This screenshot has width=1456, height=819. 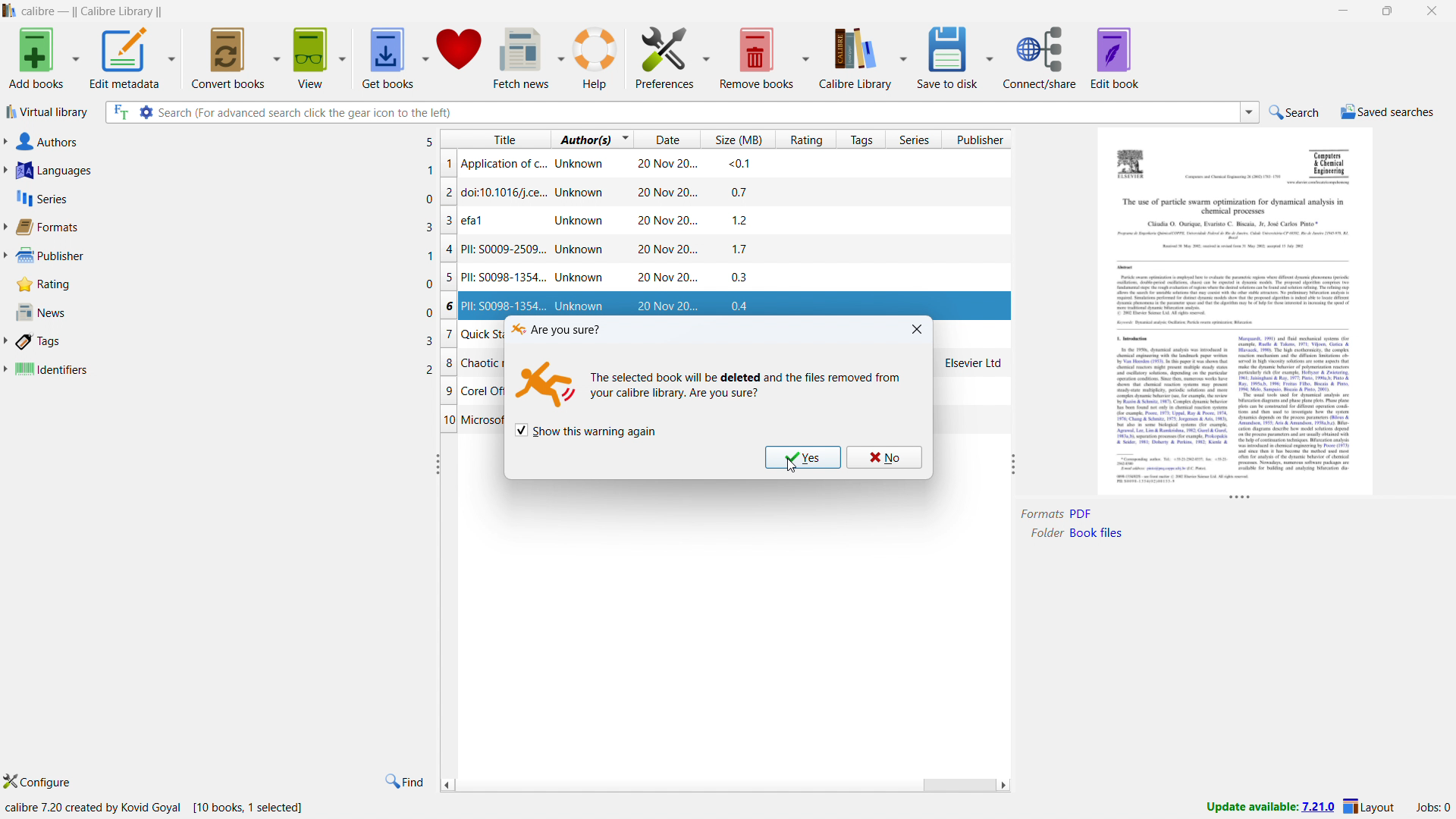 I want to click on view options, so click(x=343, y=55).